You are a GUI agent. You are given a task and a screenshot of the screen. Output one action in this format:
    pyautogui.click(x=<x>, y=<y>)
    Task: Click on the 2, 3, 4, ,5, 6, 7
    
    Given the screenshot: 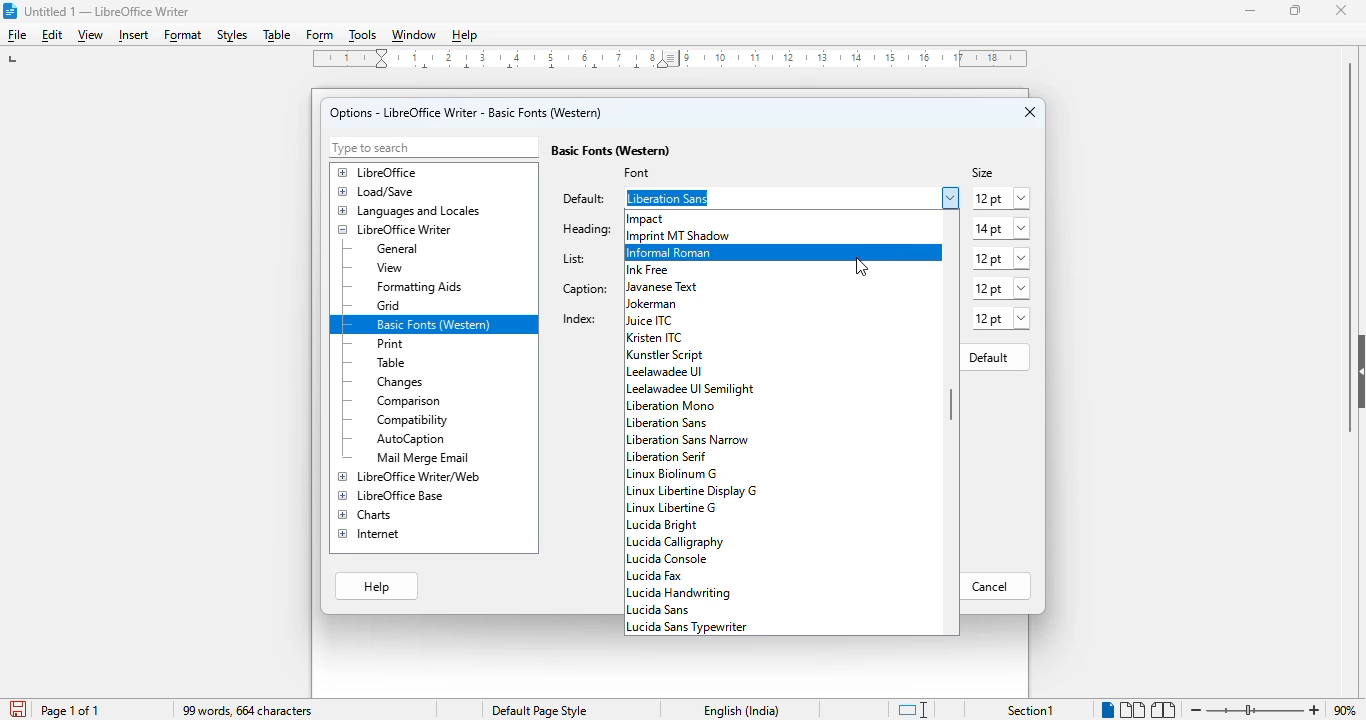 What is the action you would take?
    pyautogui.click(x=529, y=54)
    